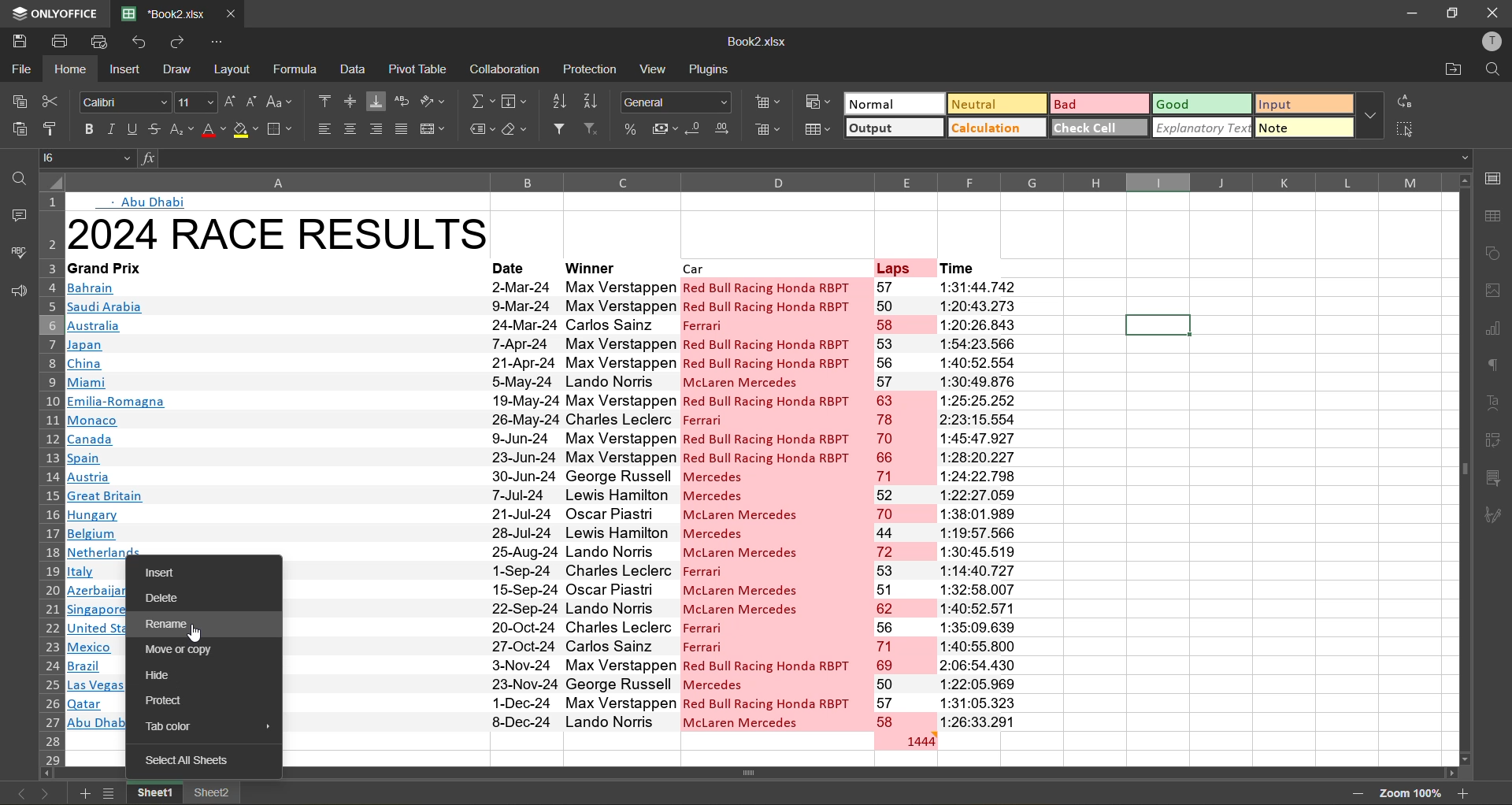 The width and height of the screenshot is (1512, 805). I want to click on data, so click(354, 72).